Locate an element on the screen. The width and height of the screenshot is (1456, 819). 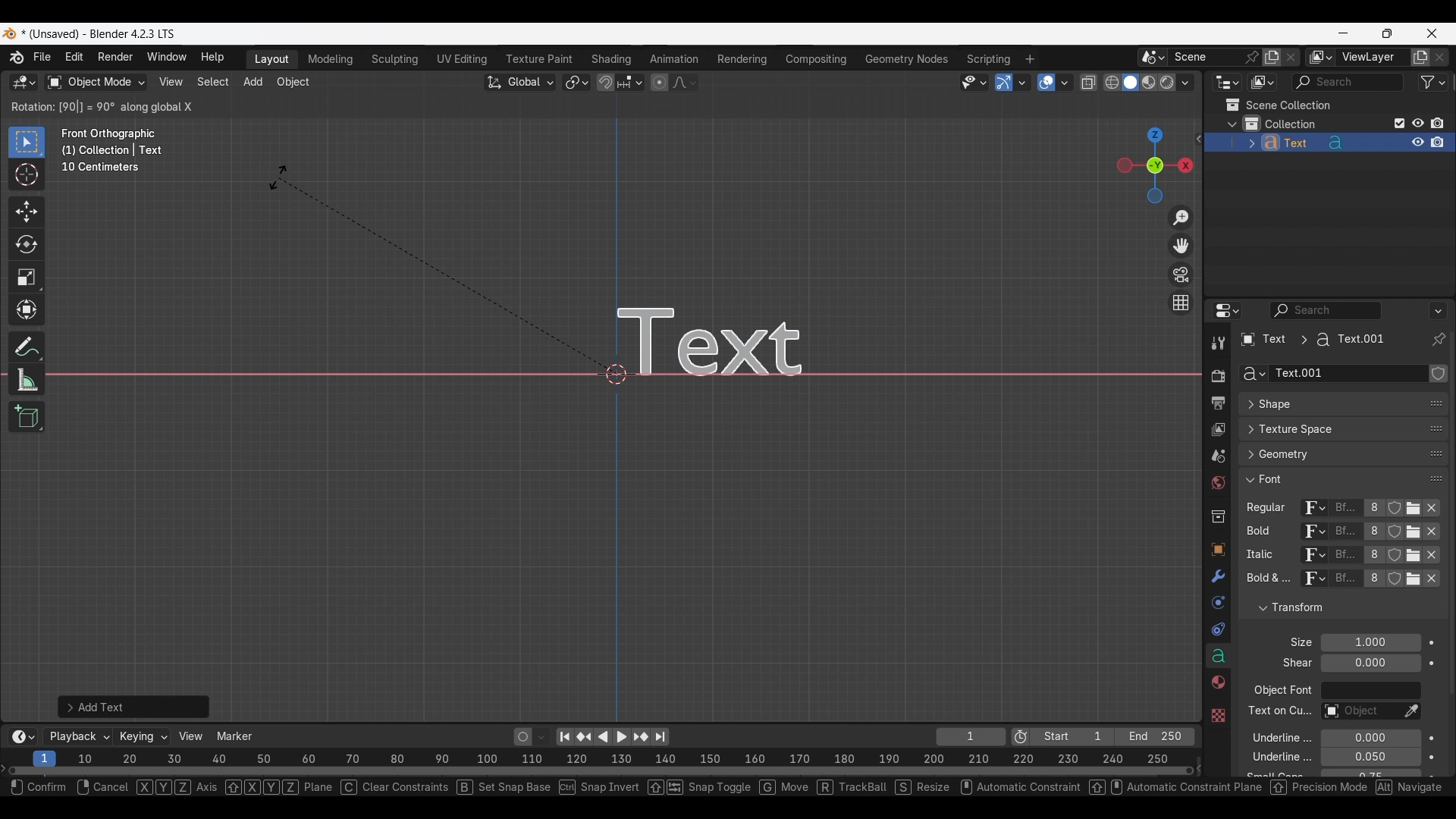
Click to see more edit options is located at coordinates (1197, 139).